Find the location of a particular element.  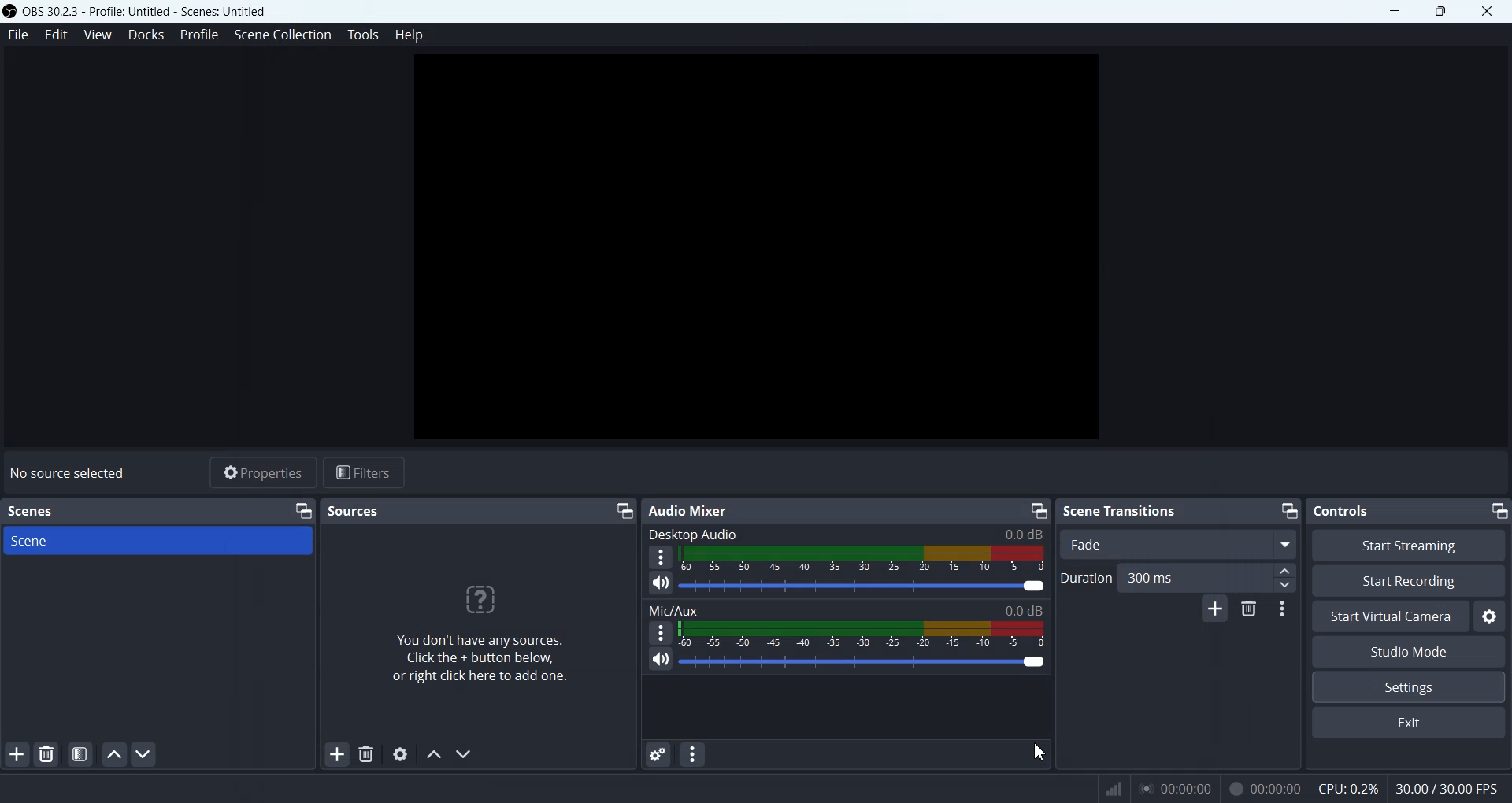

Fade is located at coordinates (1175, 544).